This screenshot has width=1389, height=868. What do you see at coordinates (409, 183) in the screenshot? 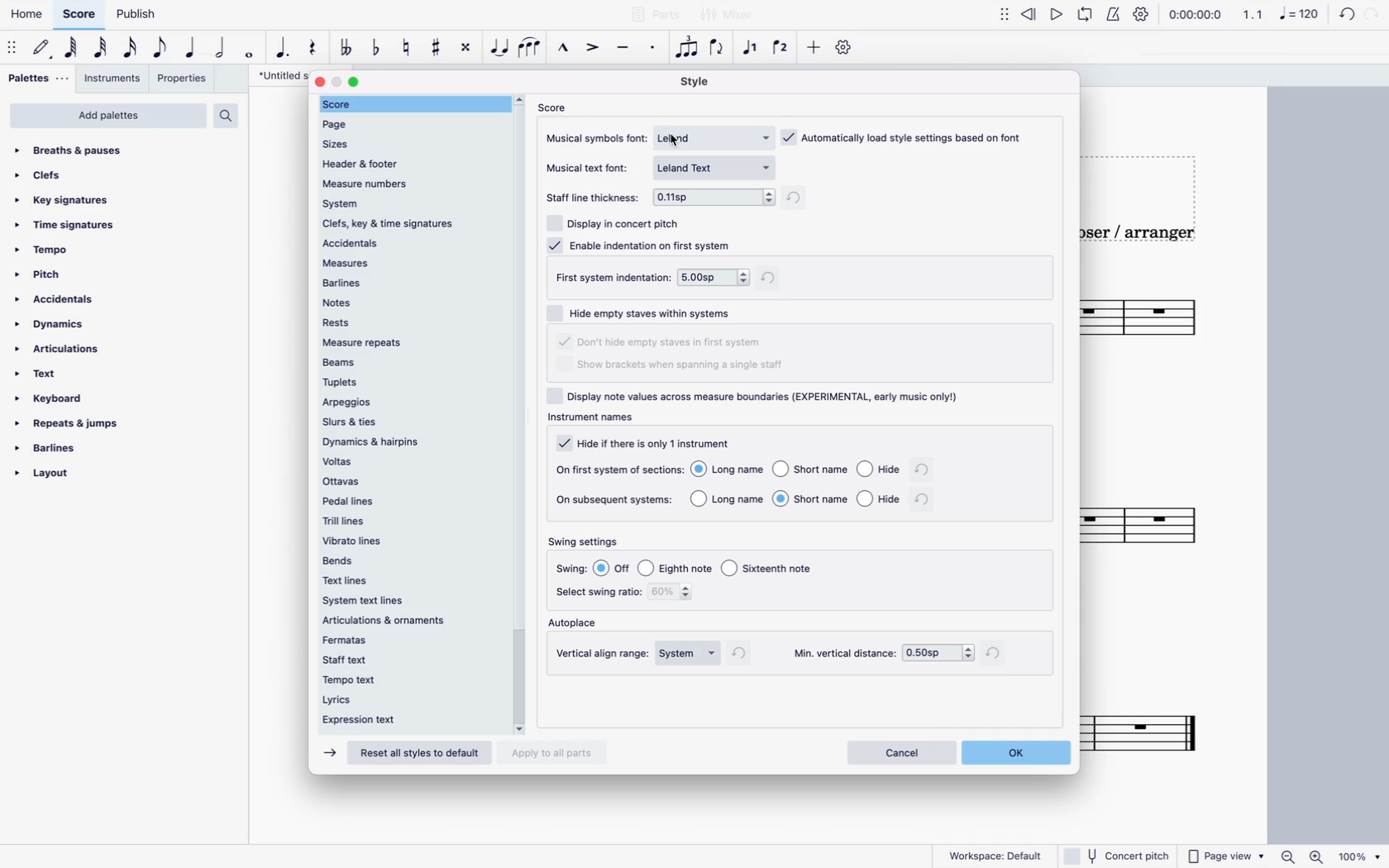
I see `measure numbers` at bounding box center [409, 183].